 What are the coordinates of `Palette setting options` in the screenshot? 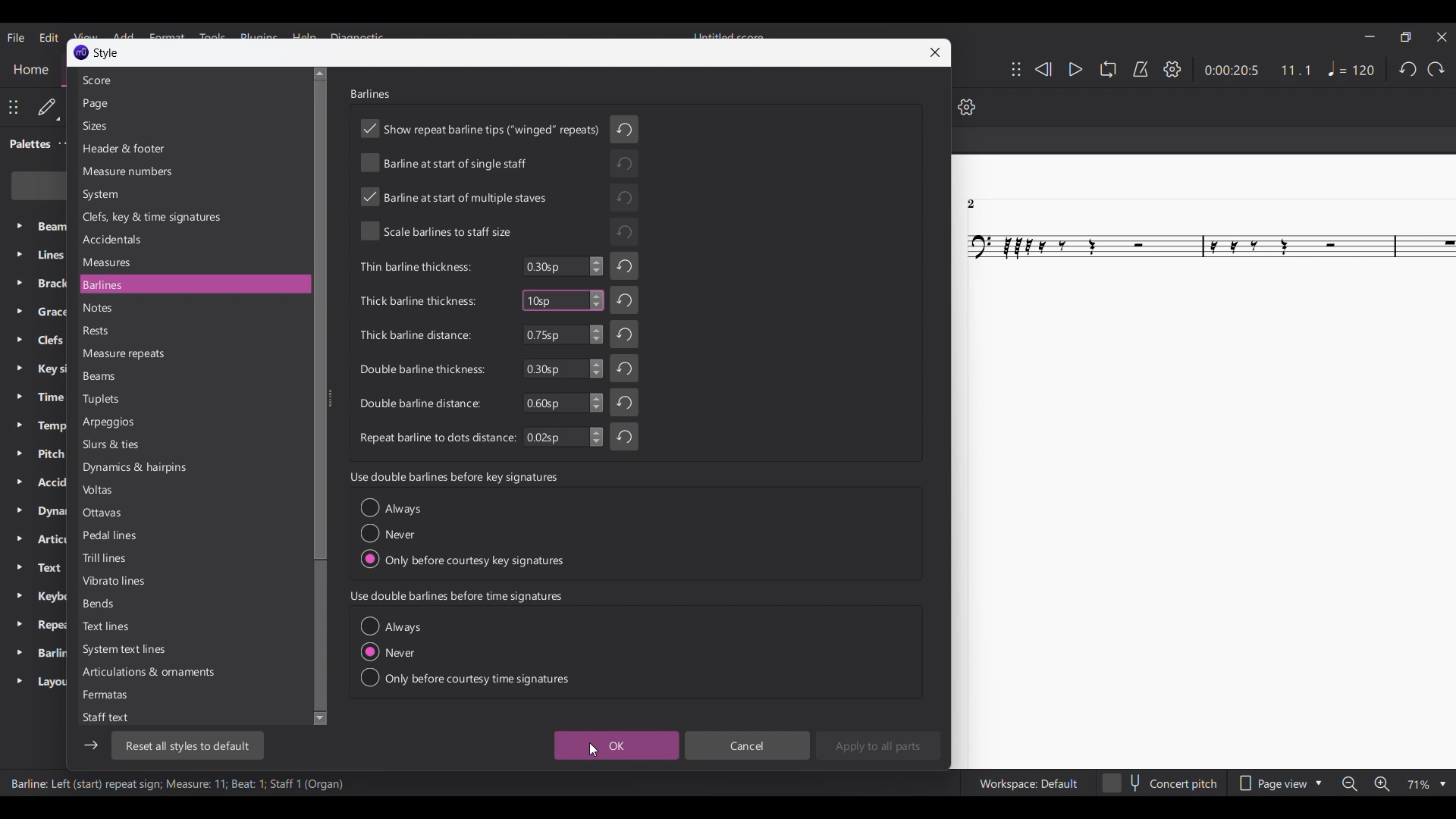 It's located at (50, 456).